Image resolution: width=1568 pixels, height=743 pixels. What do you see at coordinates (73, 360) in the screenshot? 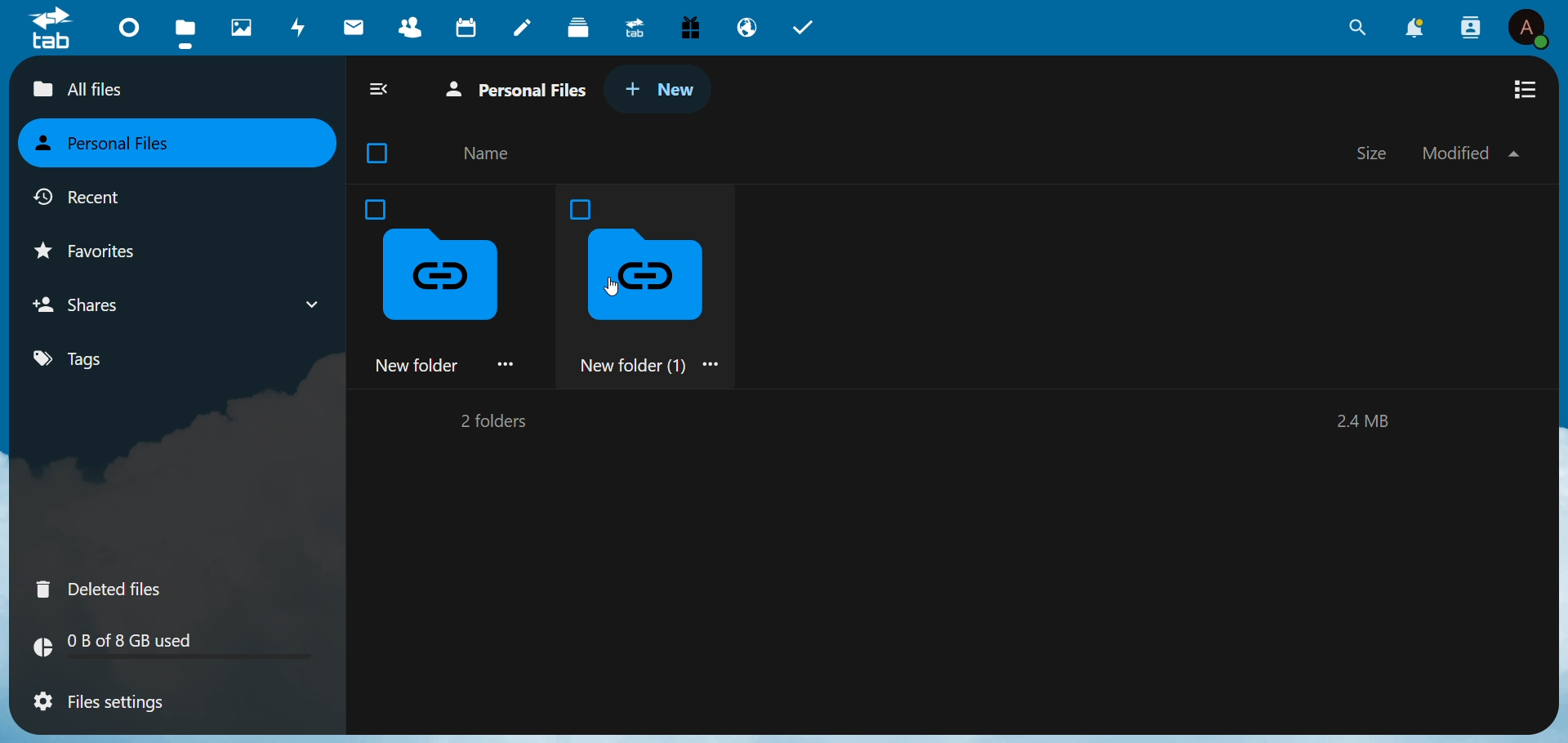
I see `tags` at bounding box center [73, 360].